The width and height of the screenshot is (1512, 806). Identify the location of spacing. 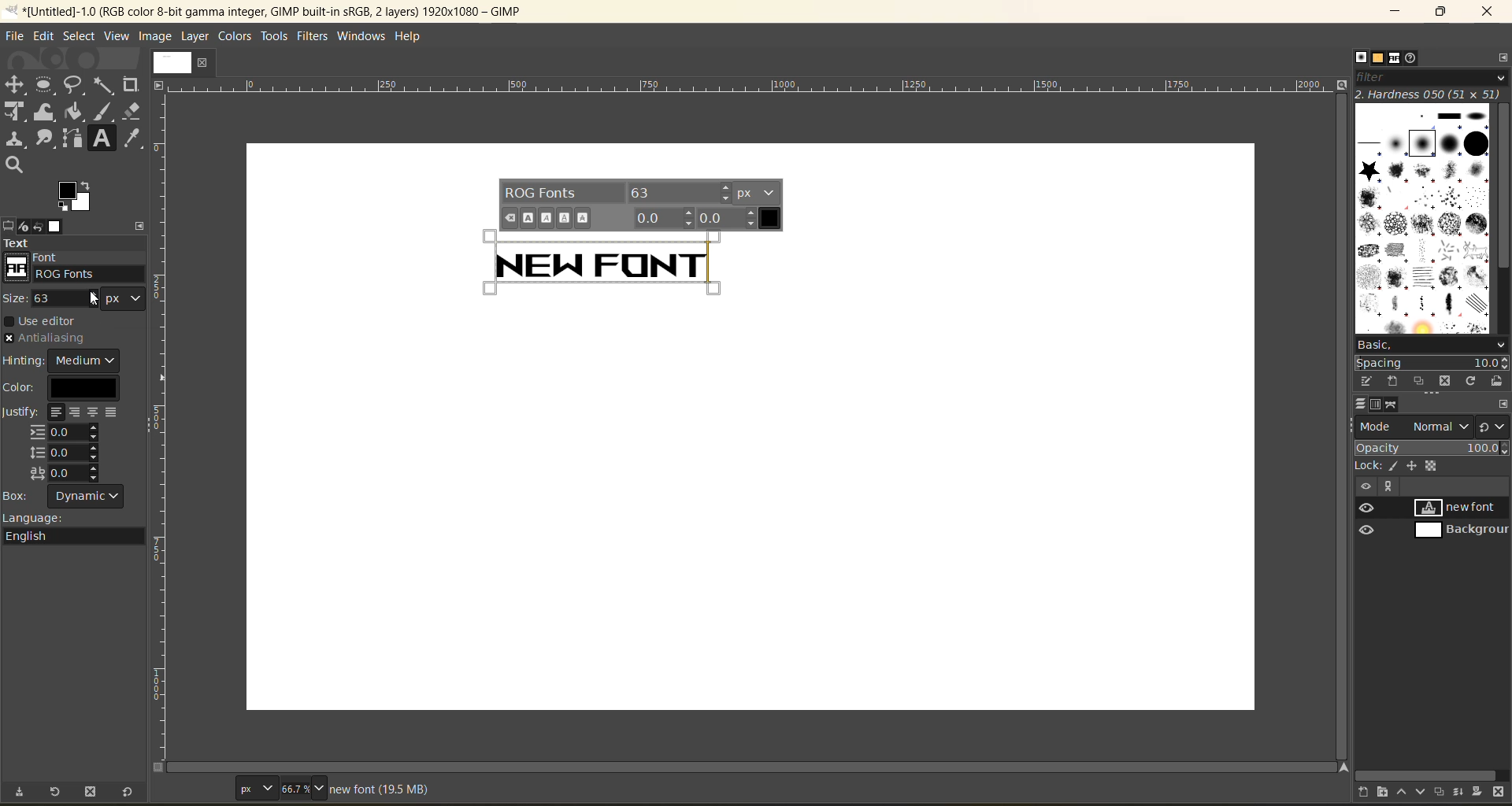
(1430, 363).